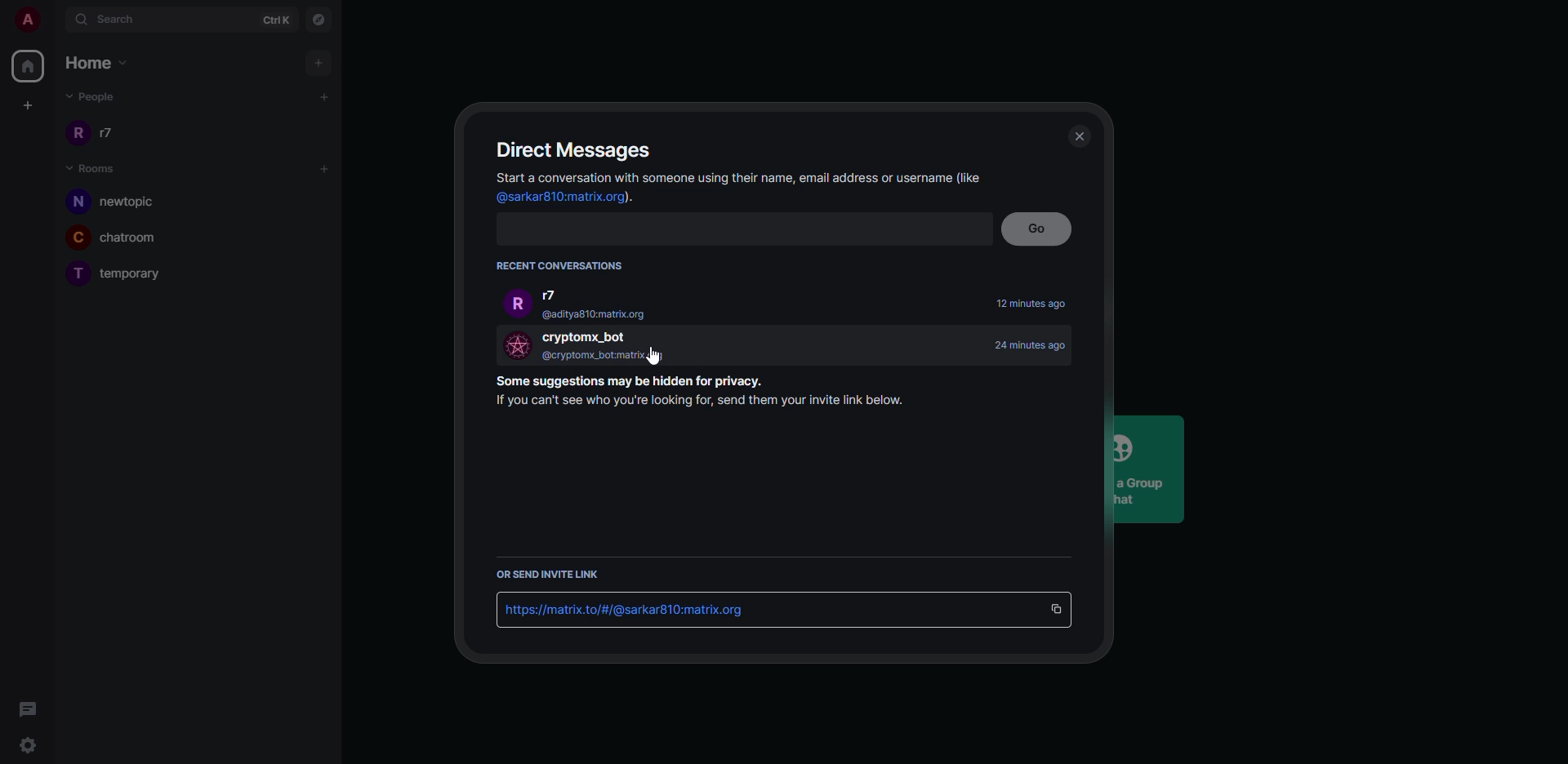 This screenshot has width=1568, height=764. Describe the element at coordinates (699, 393) in the screenshot. I see `info` at that location.